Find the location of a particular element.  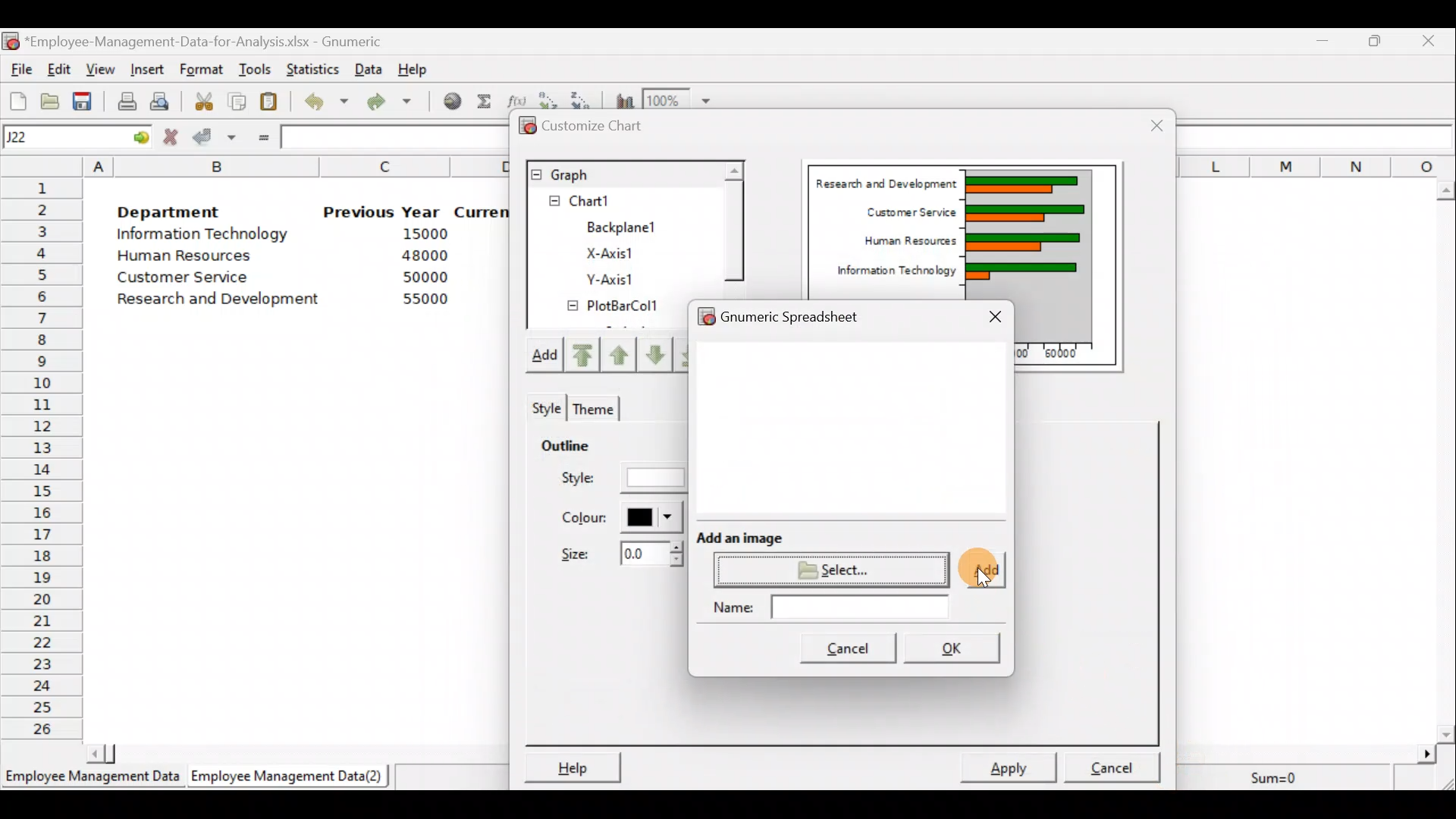

Redo undone action is located at coordinates (397, 103).